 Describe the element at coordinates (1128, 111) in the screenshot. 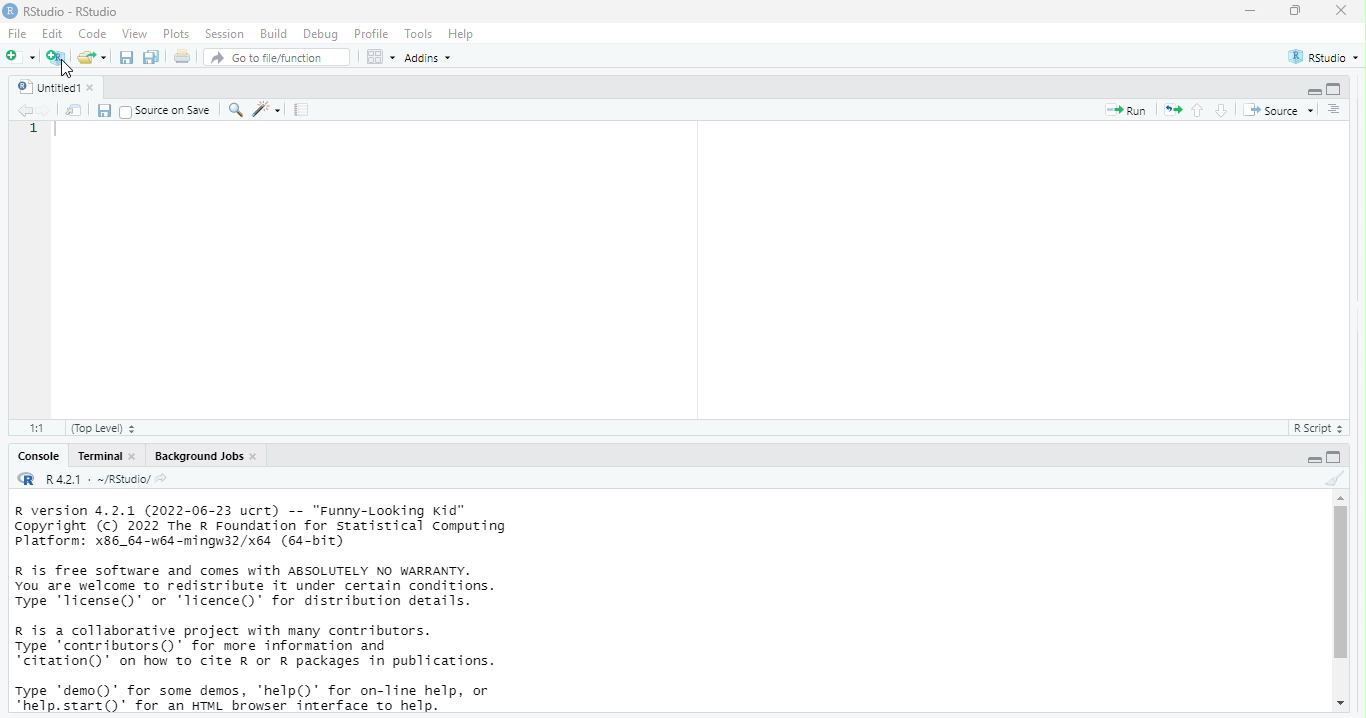

I see `run the current line or selection` at that location.